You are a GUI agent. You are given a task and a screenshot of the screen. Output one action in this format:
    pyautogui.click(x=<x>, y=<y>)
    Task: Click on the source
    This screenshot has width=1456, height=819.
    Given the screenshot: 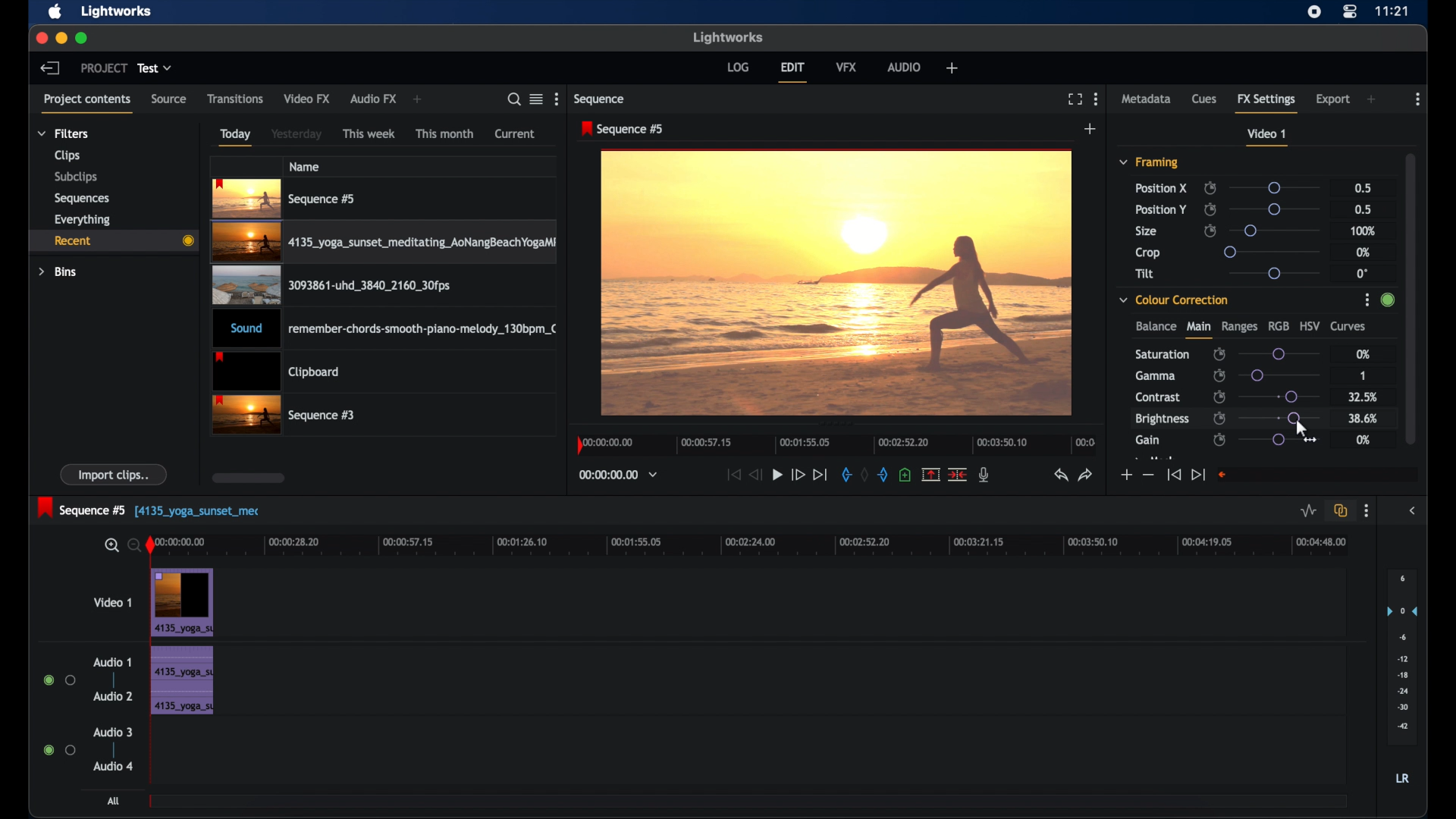 What is the action you would take?
    pyautogui.click(x=168, y=99)
    